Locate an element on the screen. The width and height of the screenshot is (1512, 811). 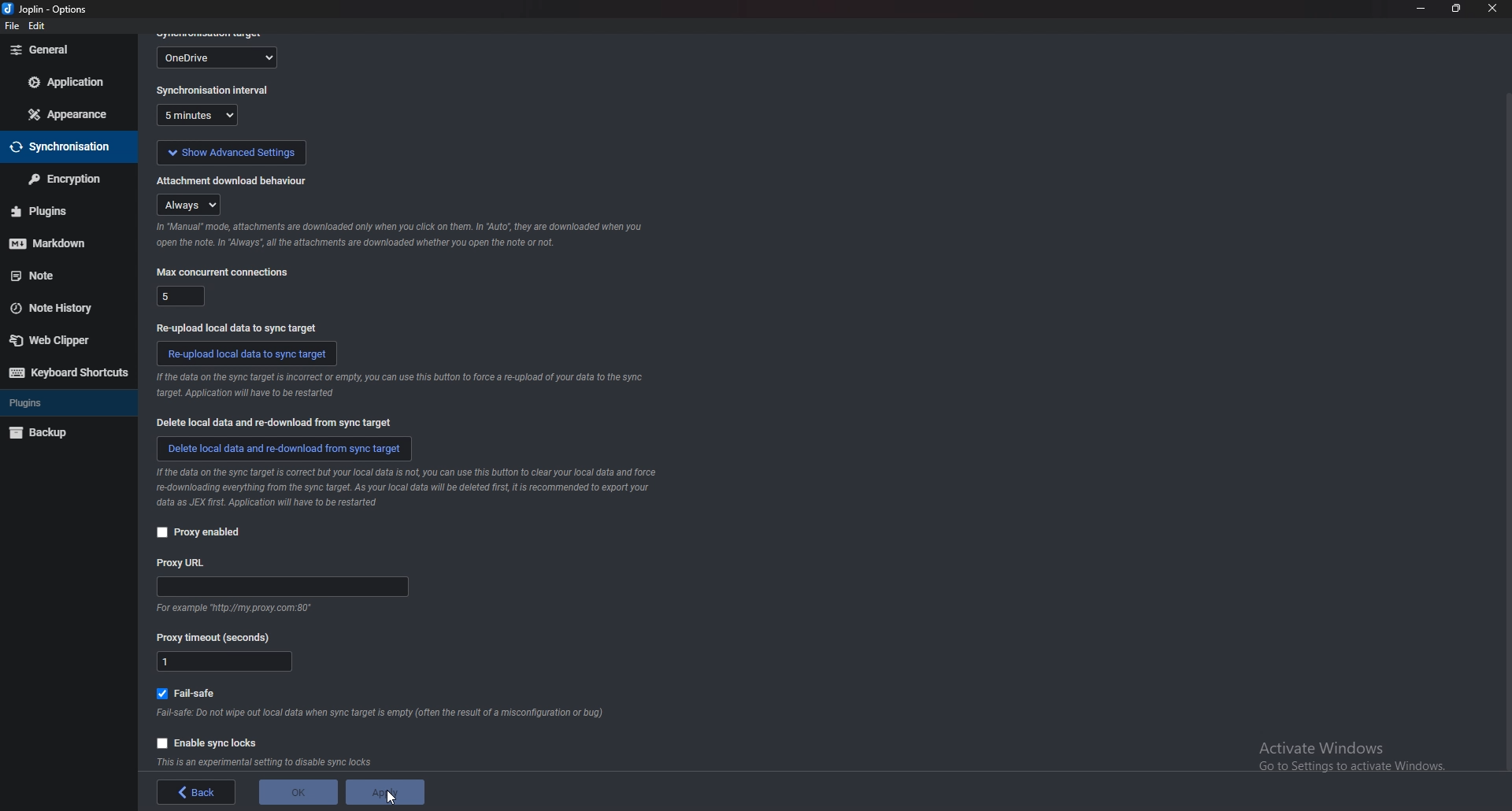
appearance is located at coordinates (70, 113).